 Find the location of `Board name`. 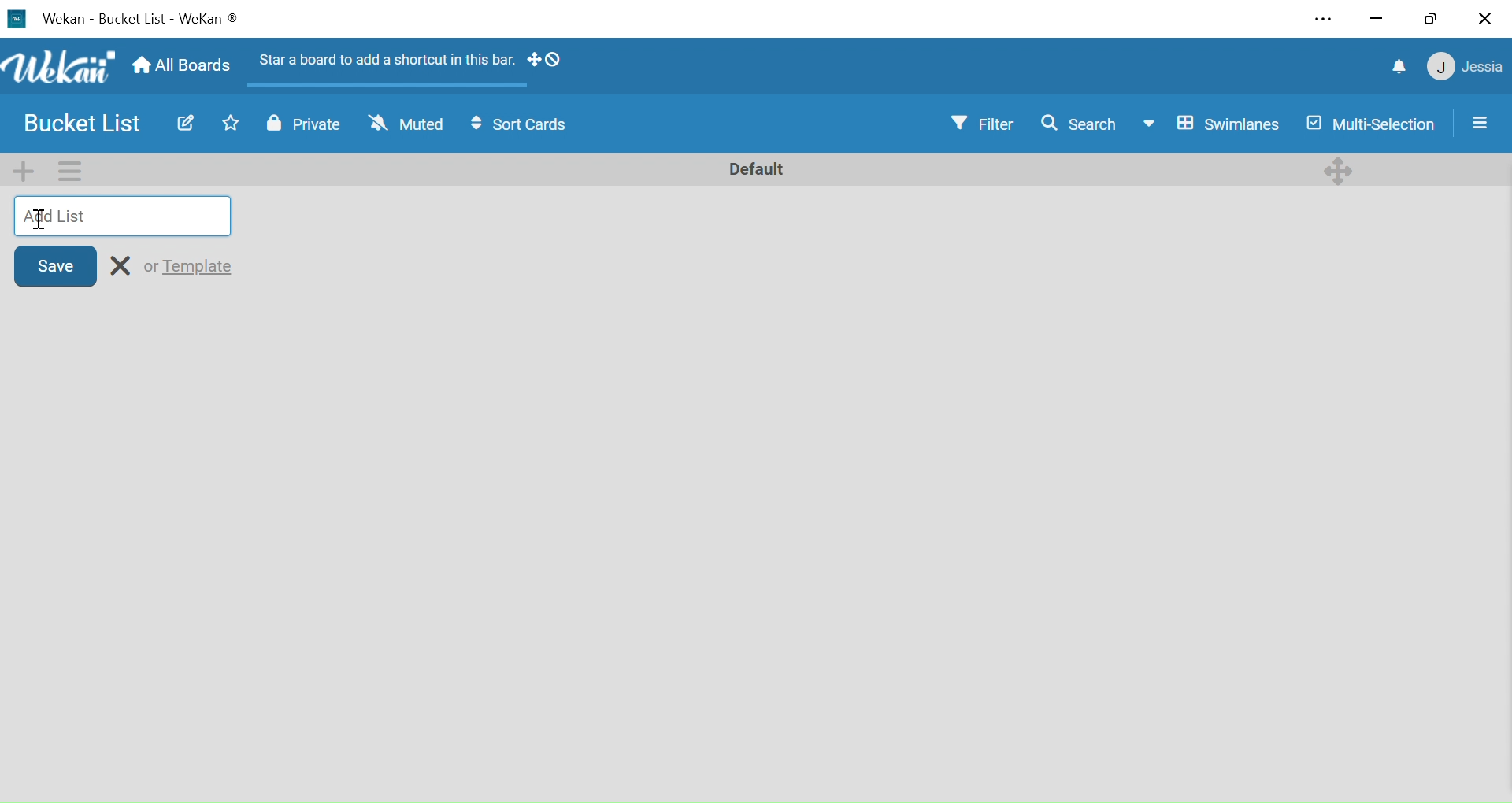

Board name is located at coordinates (87, 124).